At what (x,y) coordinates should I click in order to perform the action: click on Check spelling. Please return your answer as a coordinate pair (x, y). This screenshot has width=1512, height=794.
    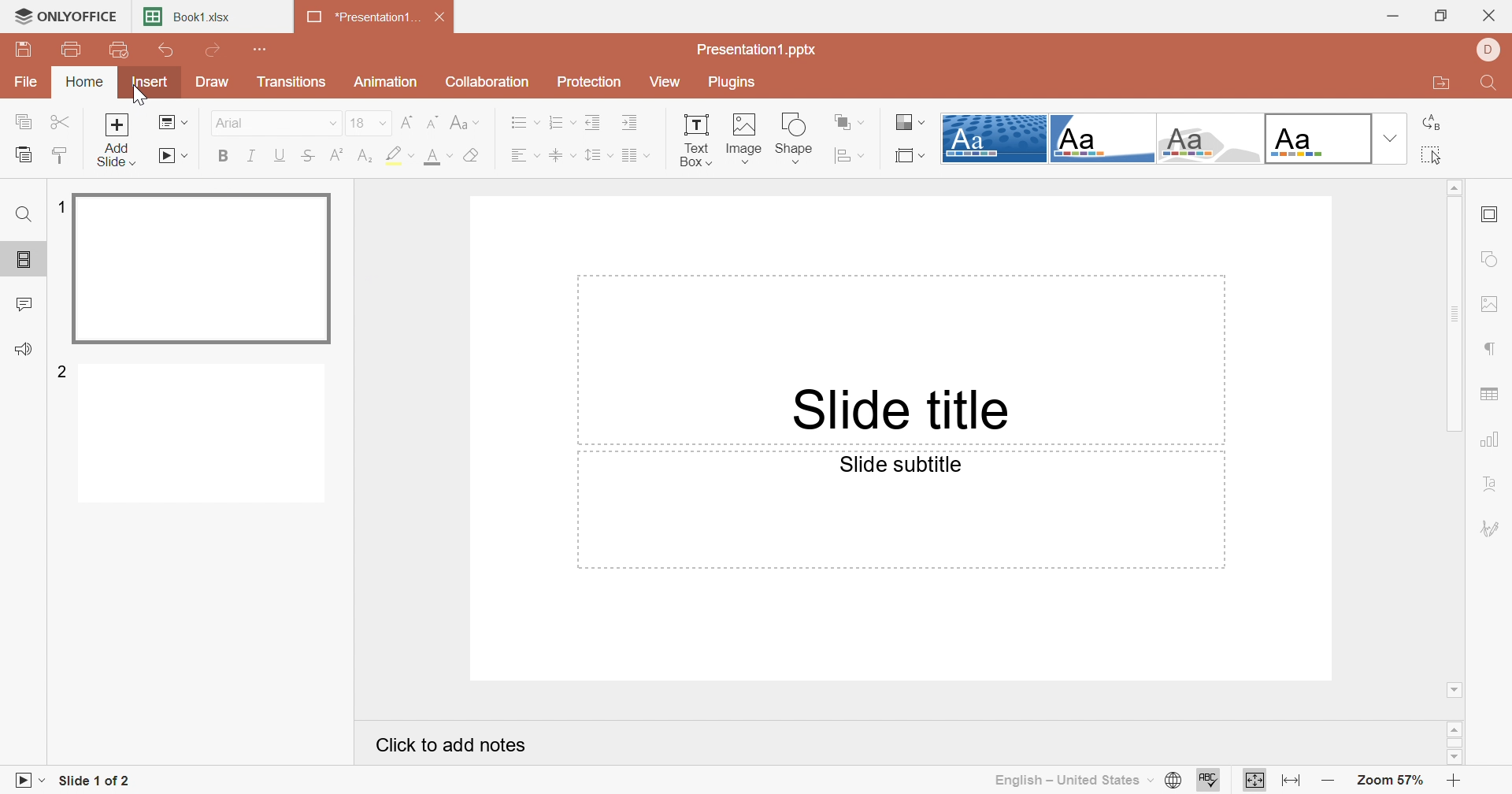
    Looking at the image, I should click on (1208, 782).